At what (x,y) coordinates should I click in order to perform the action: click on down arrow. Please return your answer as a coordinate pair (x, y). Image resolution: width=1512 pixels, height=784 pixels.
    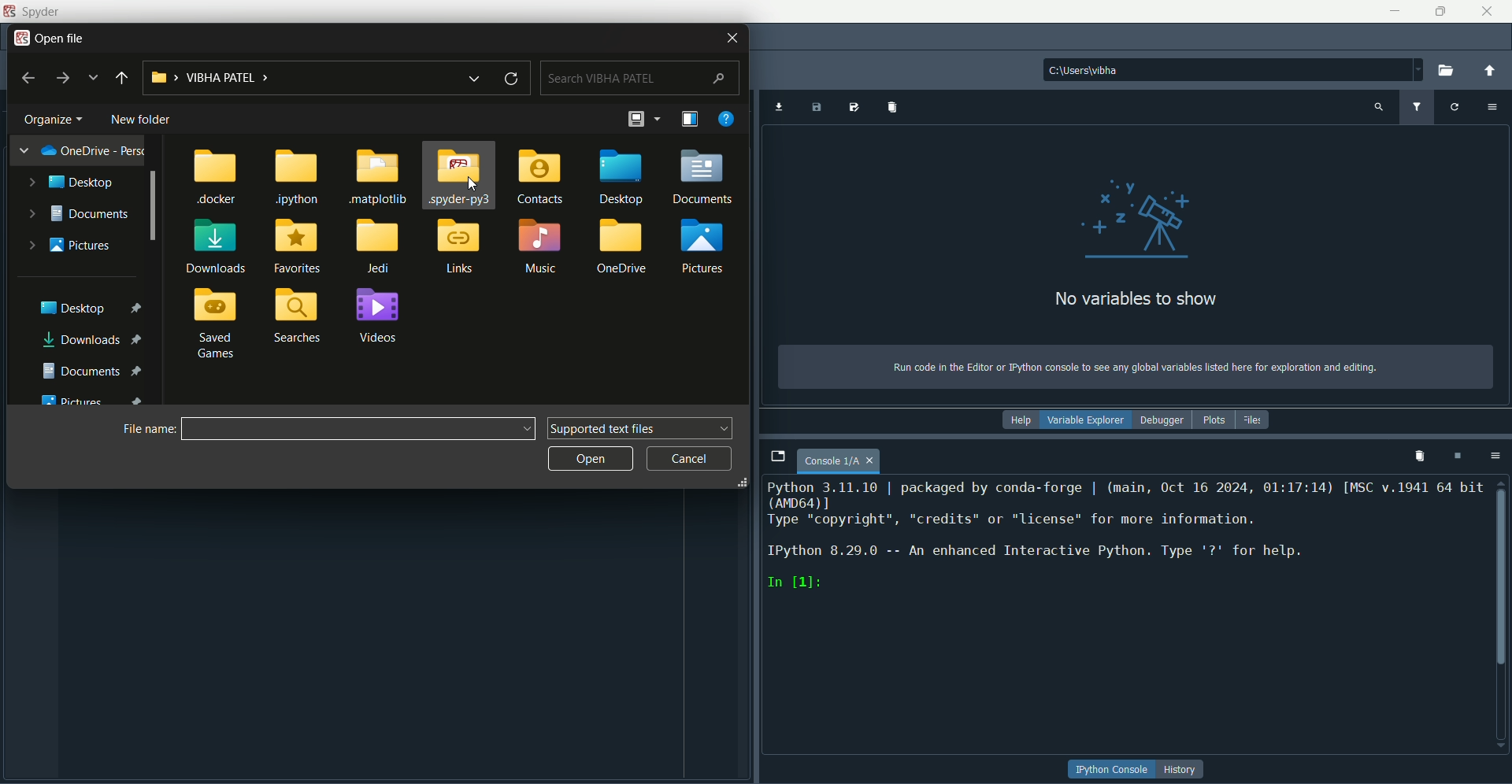
    Looking at the image, I should click on (479, 77).